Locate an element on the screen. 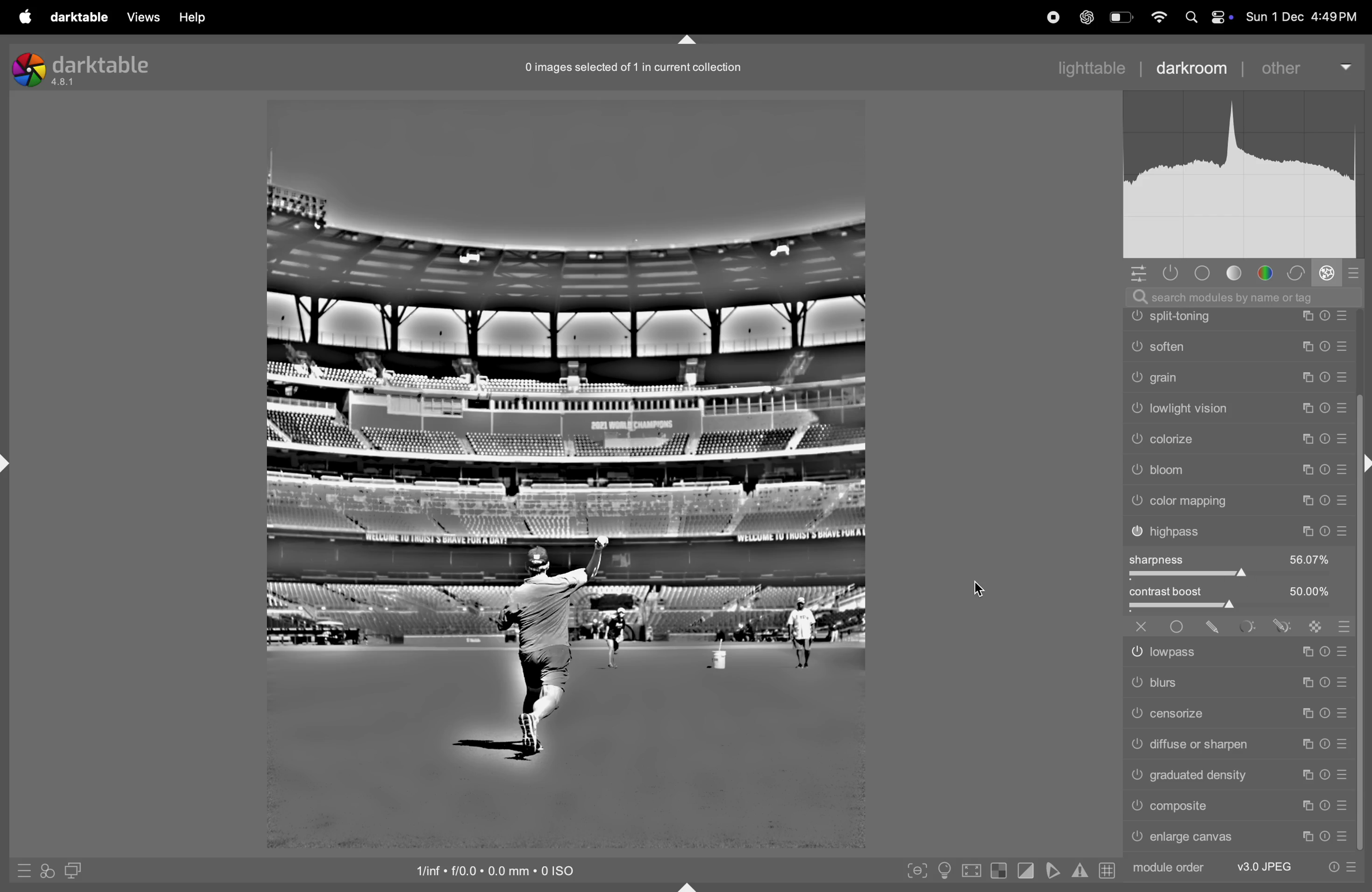 Image resolution: width=1372 pixels, height=892 pixels. toggle peak focusing mode is located at coordinates (915, 870).